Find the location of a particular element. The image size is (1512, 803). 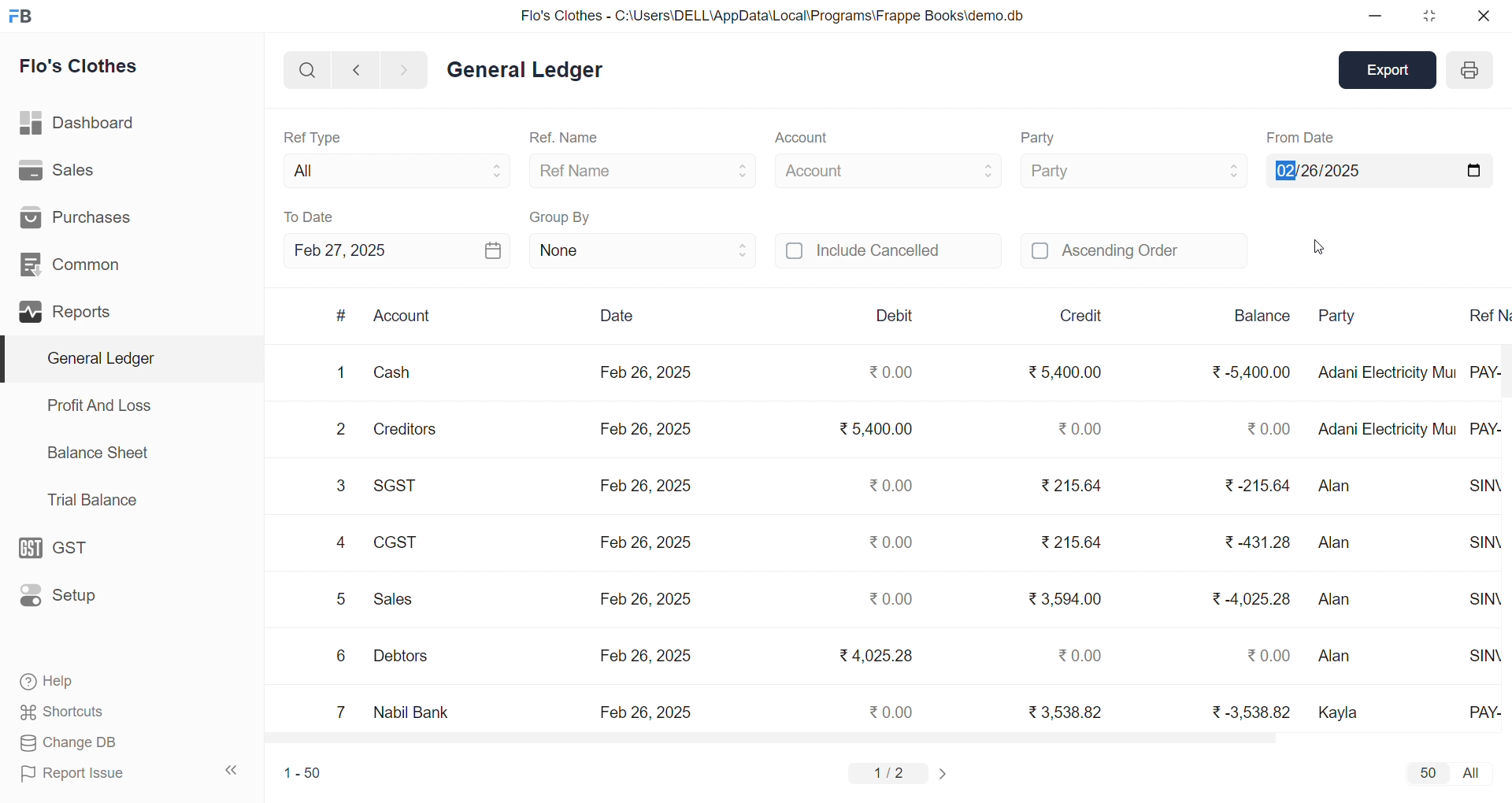

₹0.00 is located at coordinates (1078, 427).